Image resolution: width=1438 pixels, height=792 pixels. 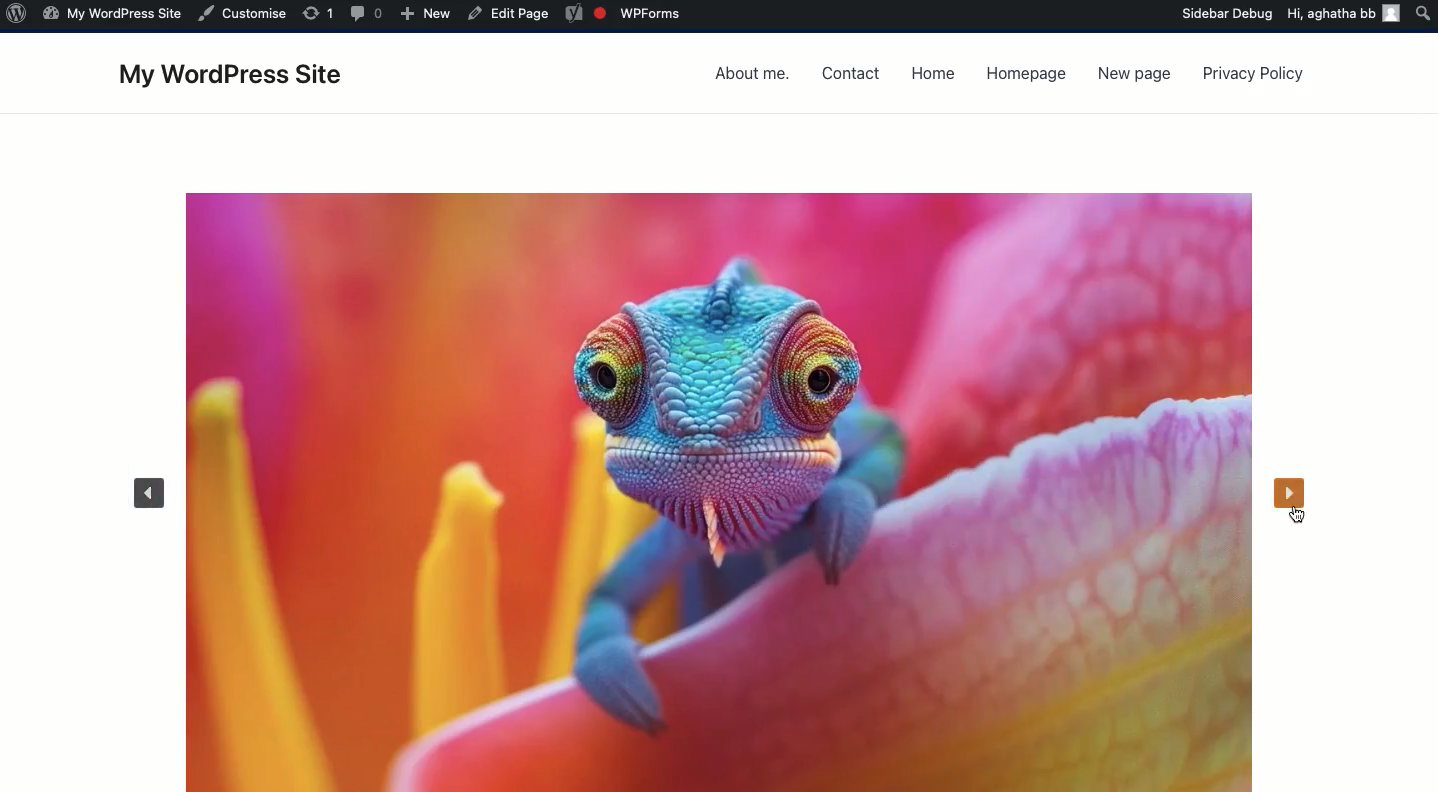 What do you see at coordinates (19, 17) in the screenshot?
I see `Wordpress` at bounding box center [19, 17].